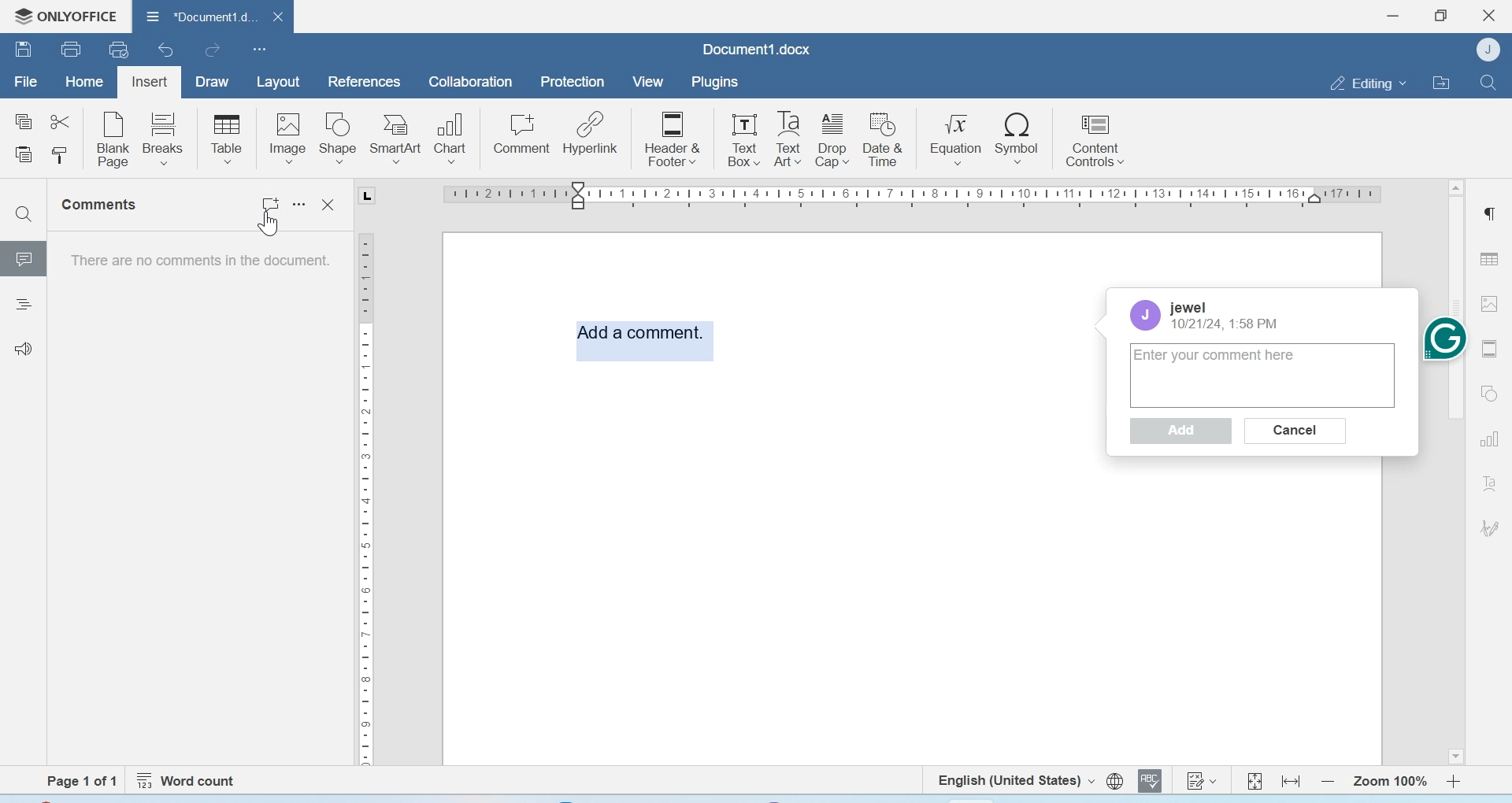 The height and width of the screenshot is (803, 1512). What do you see at coordinates (227, 139) in the screenshot?
I see `Table` at bounding box center [227, 139].